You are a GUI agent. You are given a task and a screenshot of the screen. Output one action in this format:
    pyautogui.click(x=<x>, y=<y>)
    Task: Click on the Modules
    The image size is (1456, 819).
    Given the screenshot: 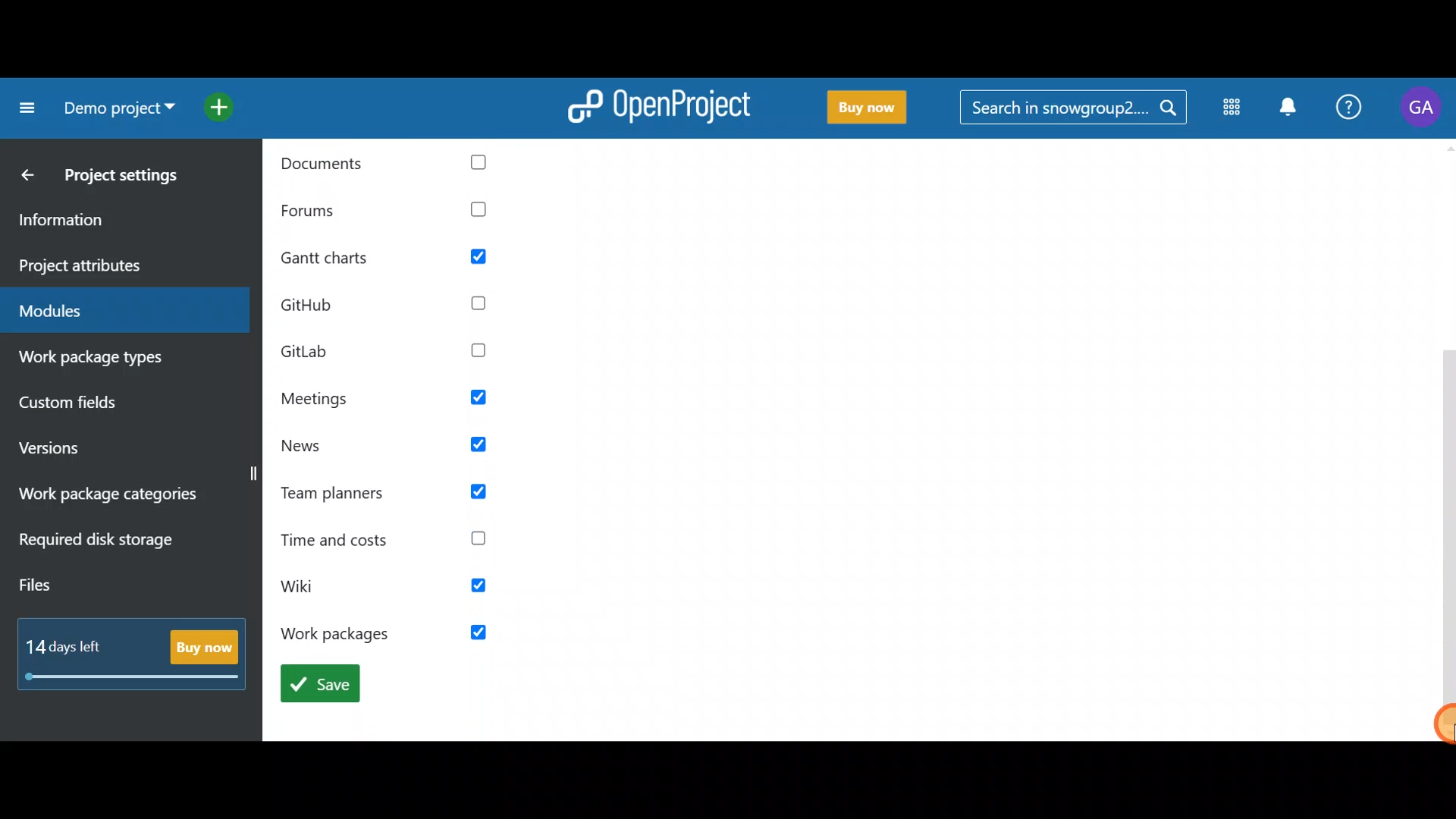 What is the action you would take?
    pyautogui.click(x=115, y=311)
    